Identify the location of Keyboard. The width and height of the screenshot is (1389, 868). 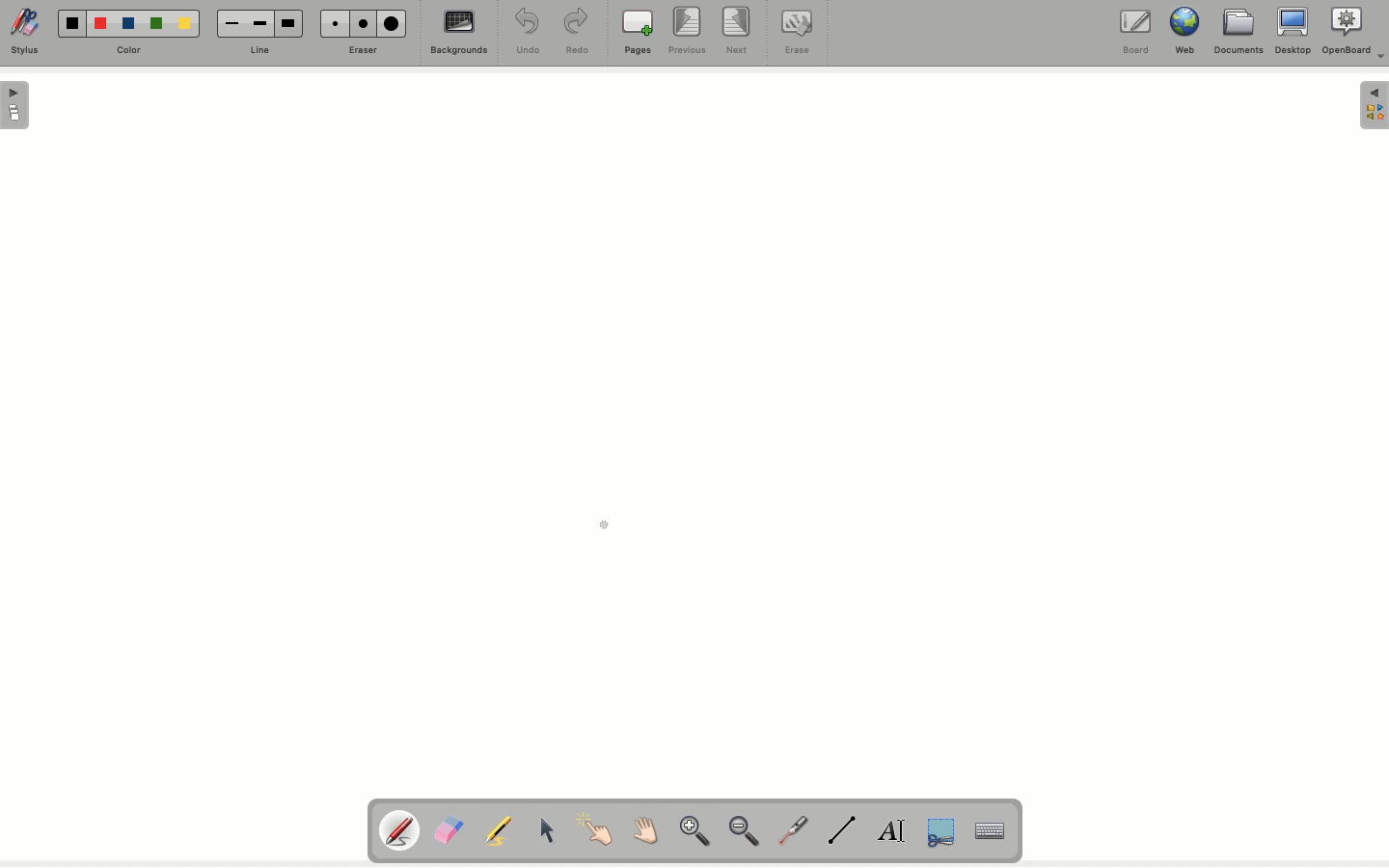
(991, 830).